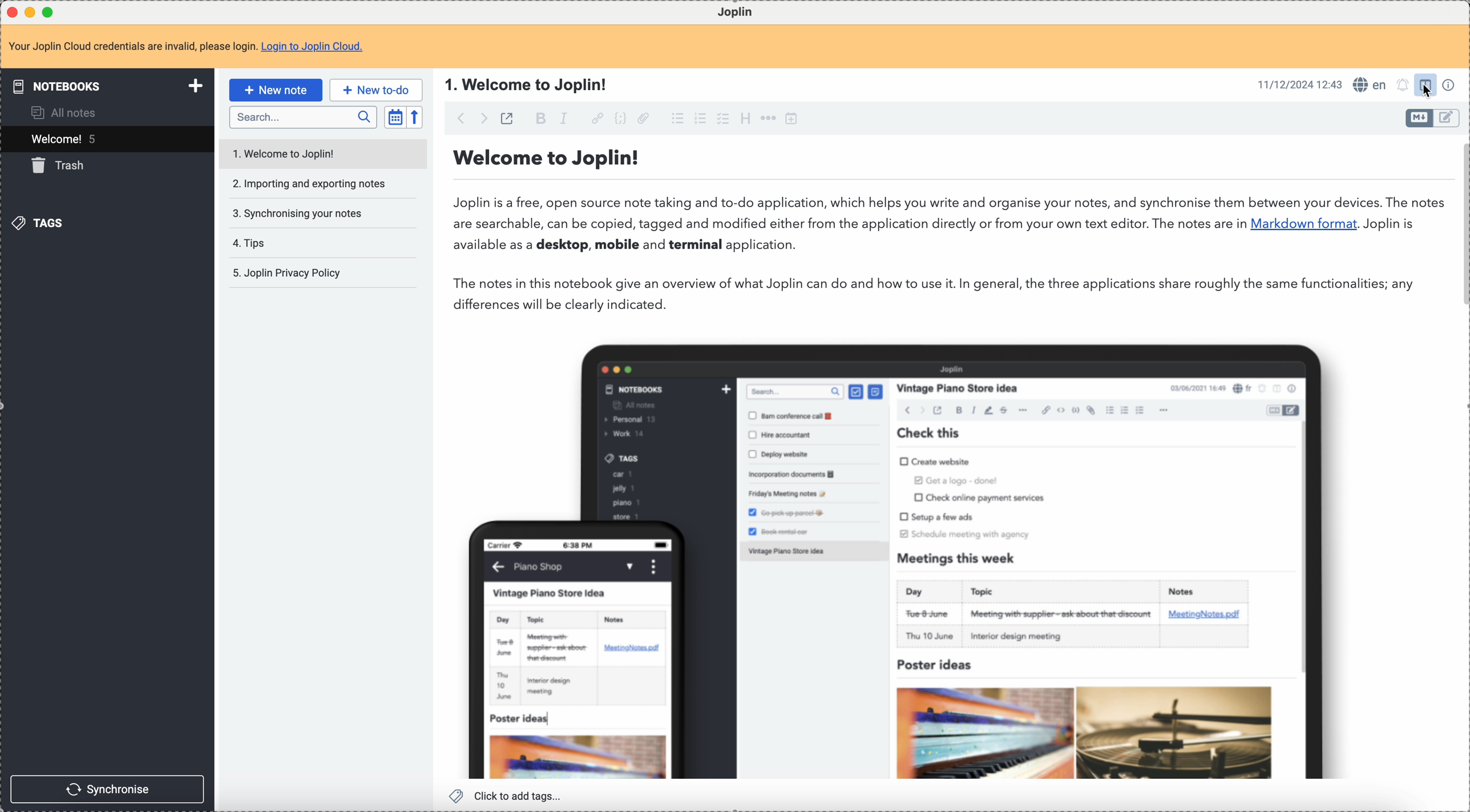 Image resolution: width=1470 pixels, height=812 pixels. I want to click on available as a desktop, mobile and terminal application., so click(632, 247).